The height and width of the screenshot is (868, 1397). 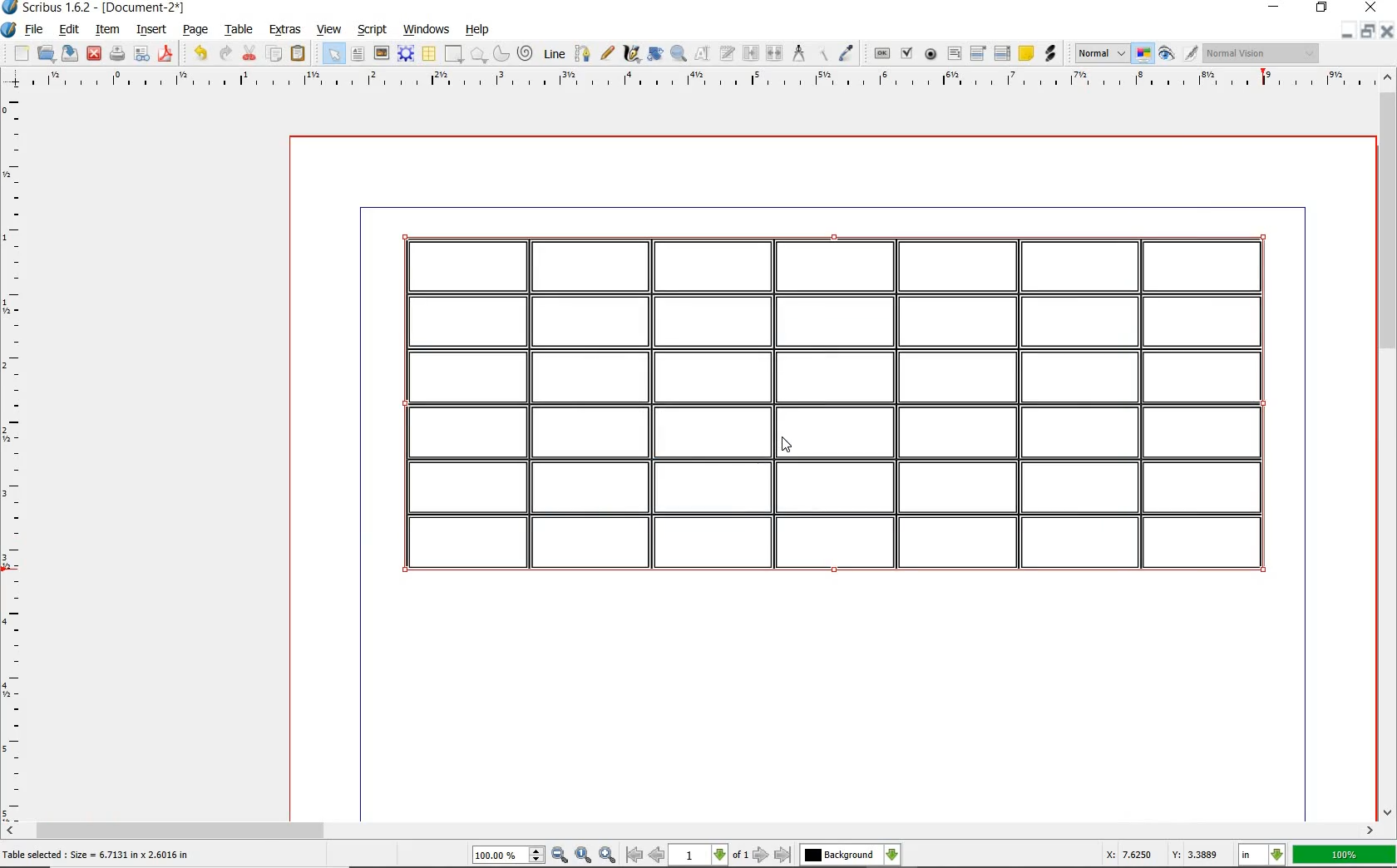 I want to click on text annotation, so click(x=1026, y=52).